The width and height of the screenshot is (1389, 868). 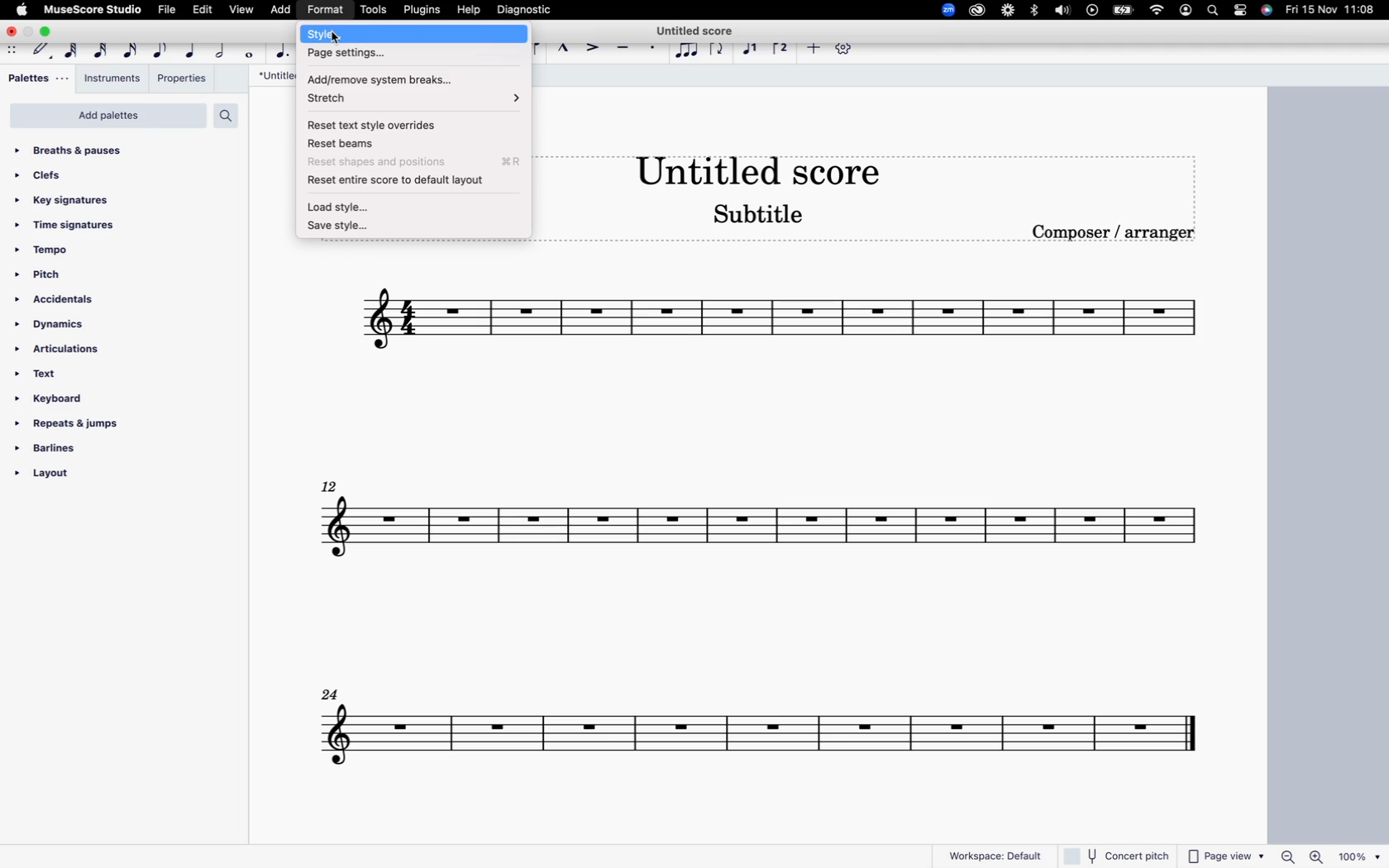 I want to click on add/remove system breaks, so click(x=386, y=79).